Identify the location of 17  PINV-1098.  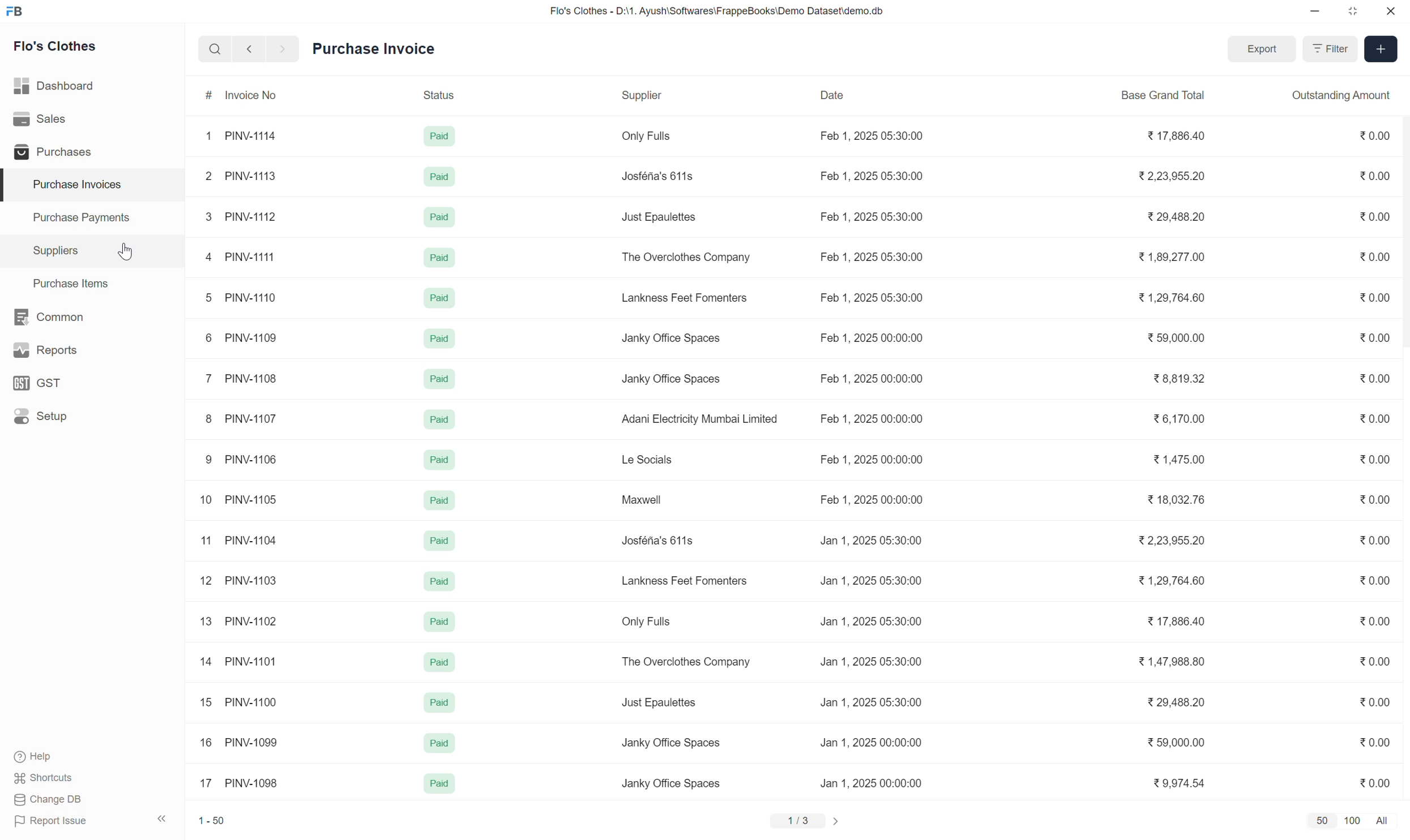
(238, 783).